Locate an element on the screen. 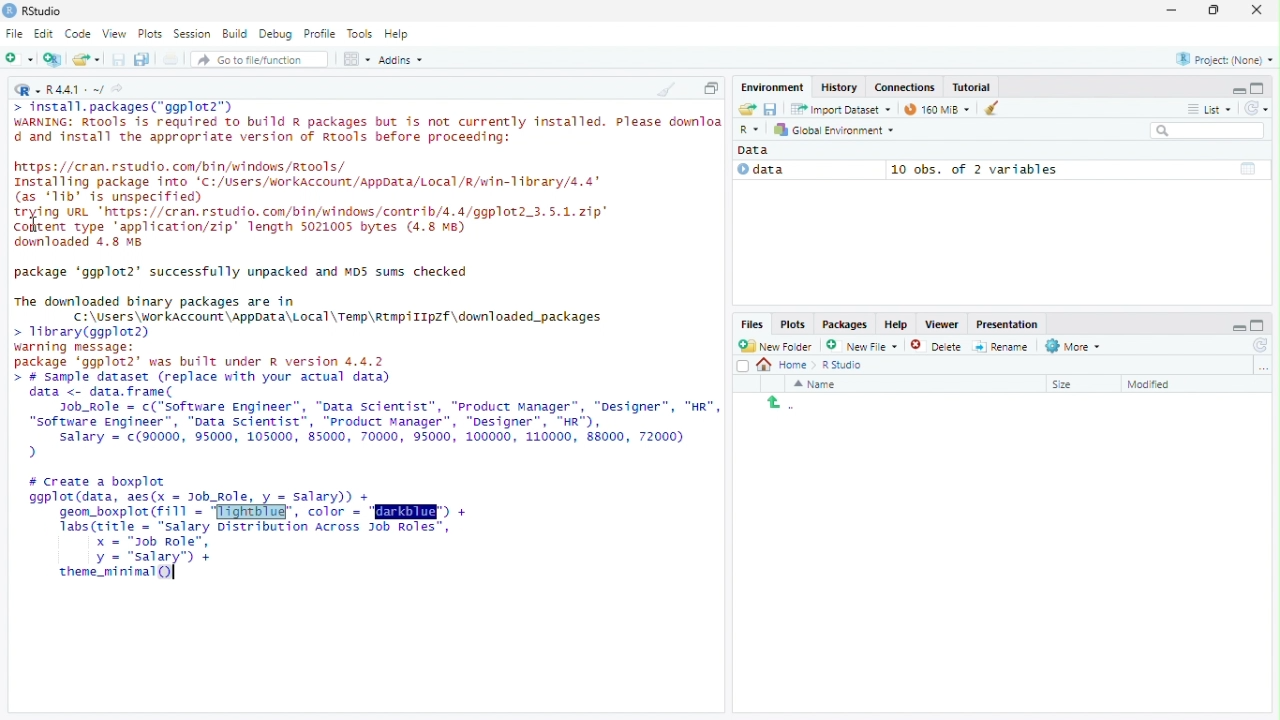  Rename selected file/folder is located at coordinates (1001, 345).